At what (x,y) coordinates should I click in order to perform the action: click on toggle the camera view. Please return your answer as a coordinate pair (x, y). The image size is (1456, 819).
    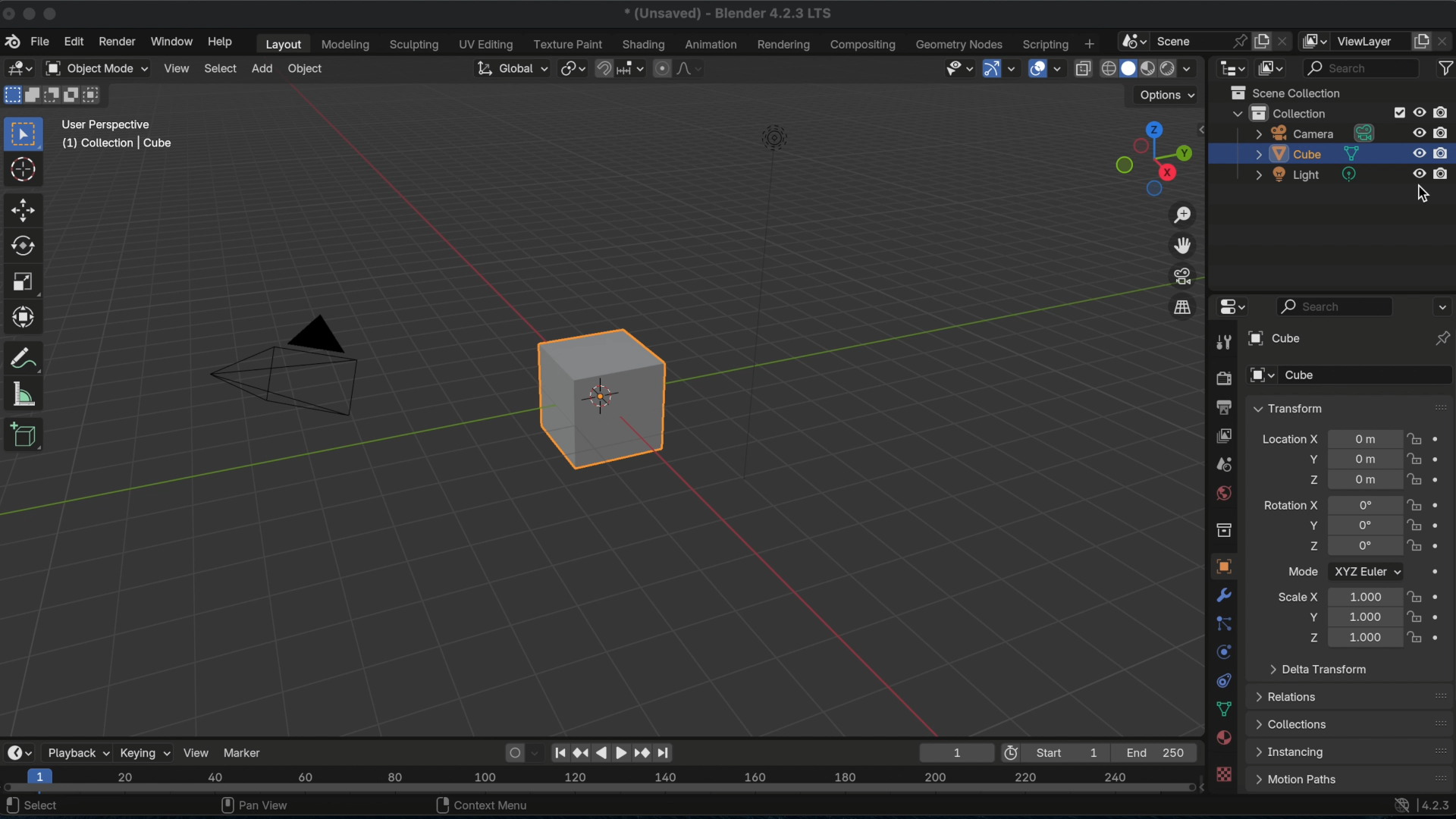
    Looking at the image, I should click on (1181, 274).